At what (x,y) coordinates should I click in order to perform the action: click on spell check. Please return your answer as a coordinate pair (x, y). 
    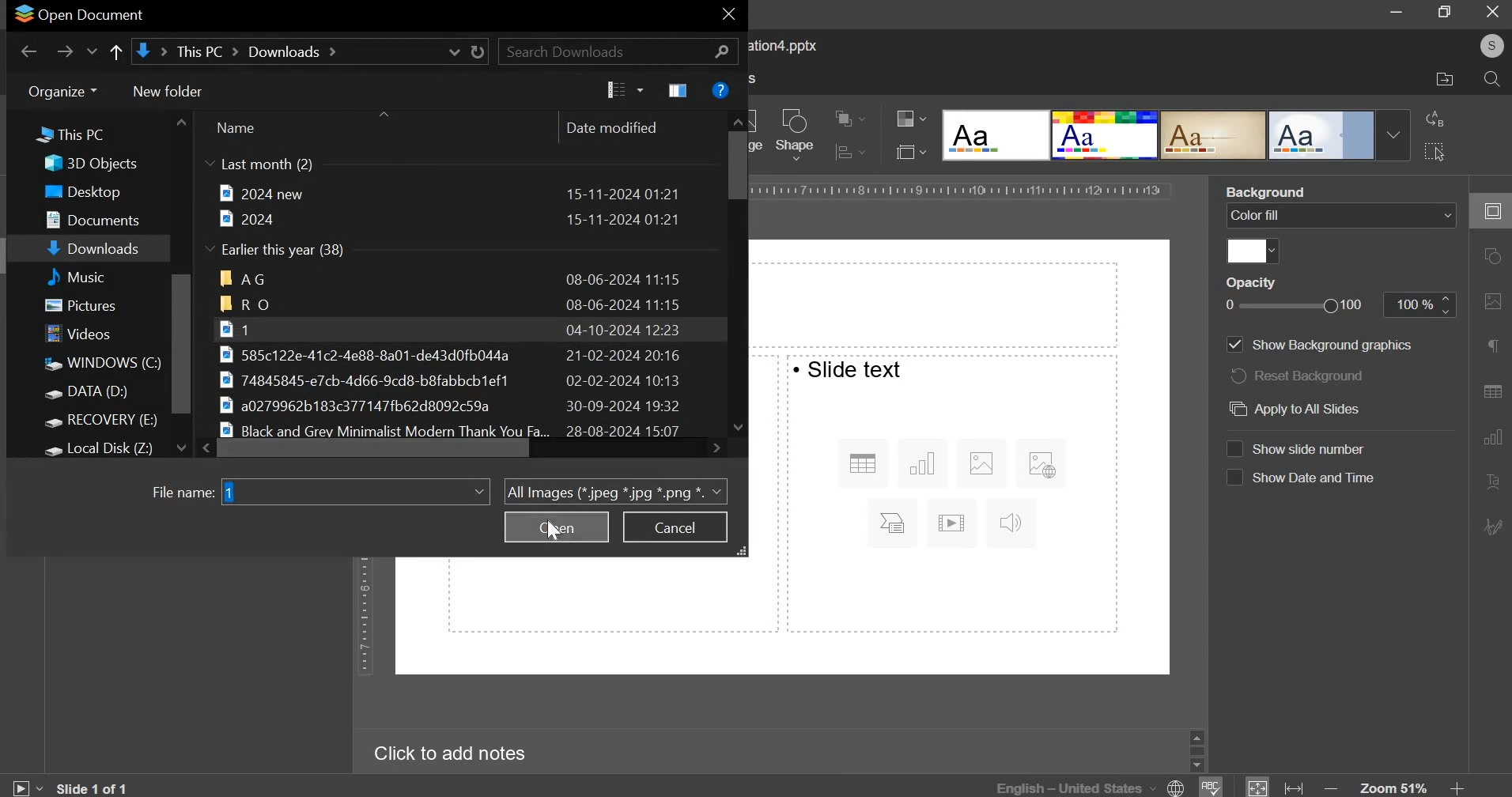
    Looking at the image, I should click on (1212, 787).